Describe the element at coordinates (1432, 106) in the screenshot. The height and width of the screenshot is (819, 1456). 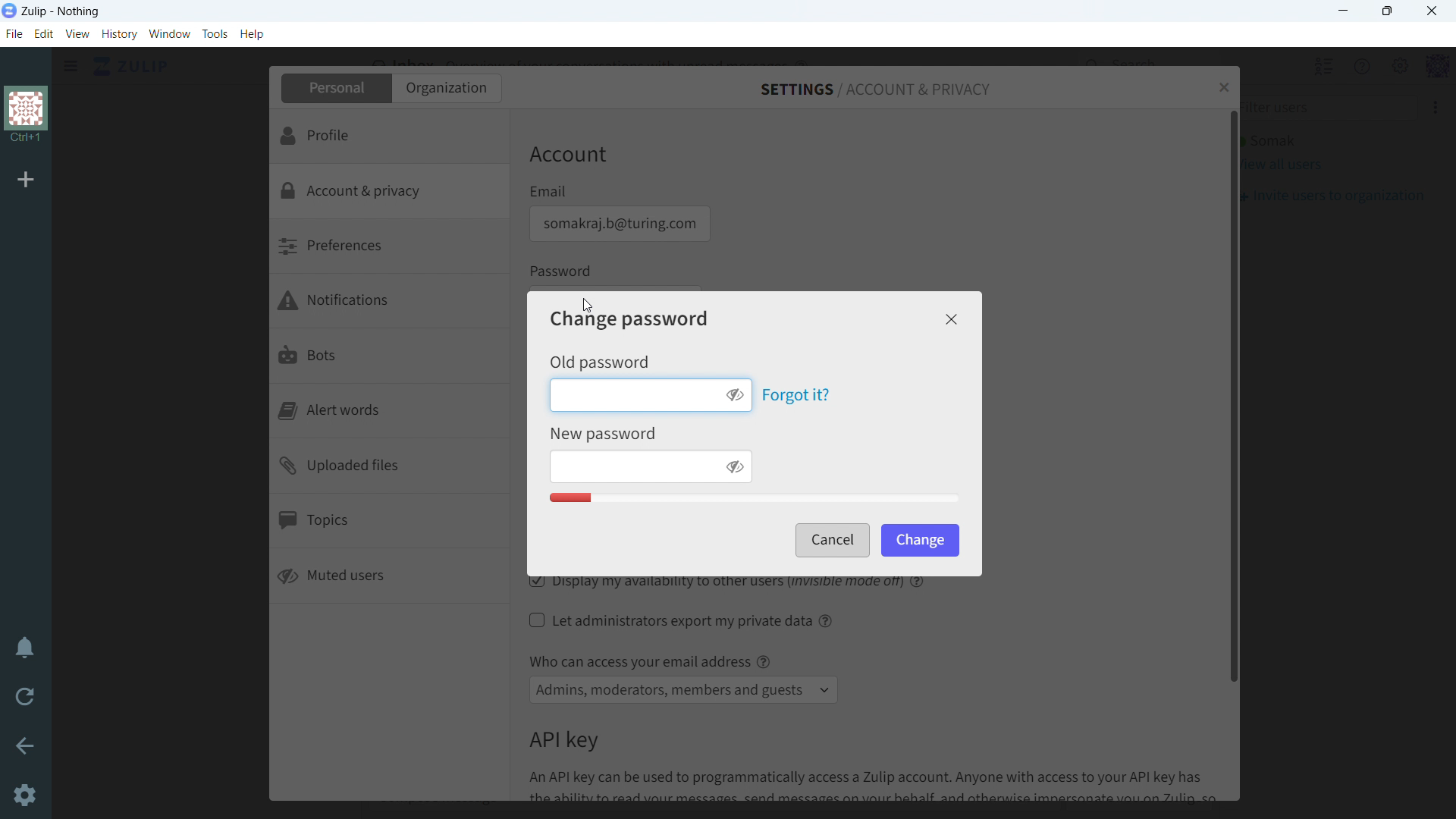
I see `More` at that location.